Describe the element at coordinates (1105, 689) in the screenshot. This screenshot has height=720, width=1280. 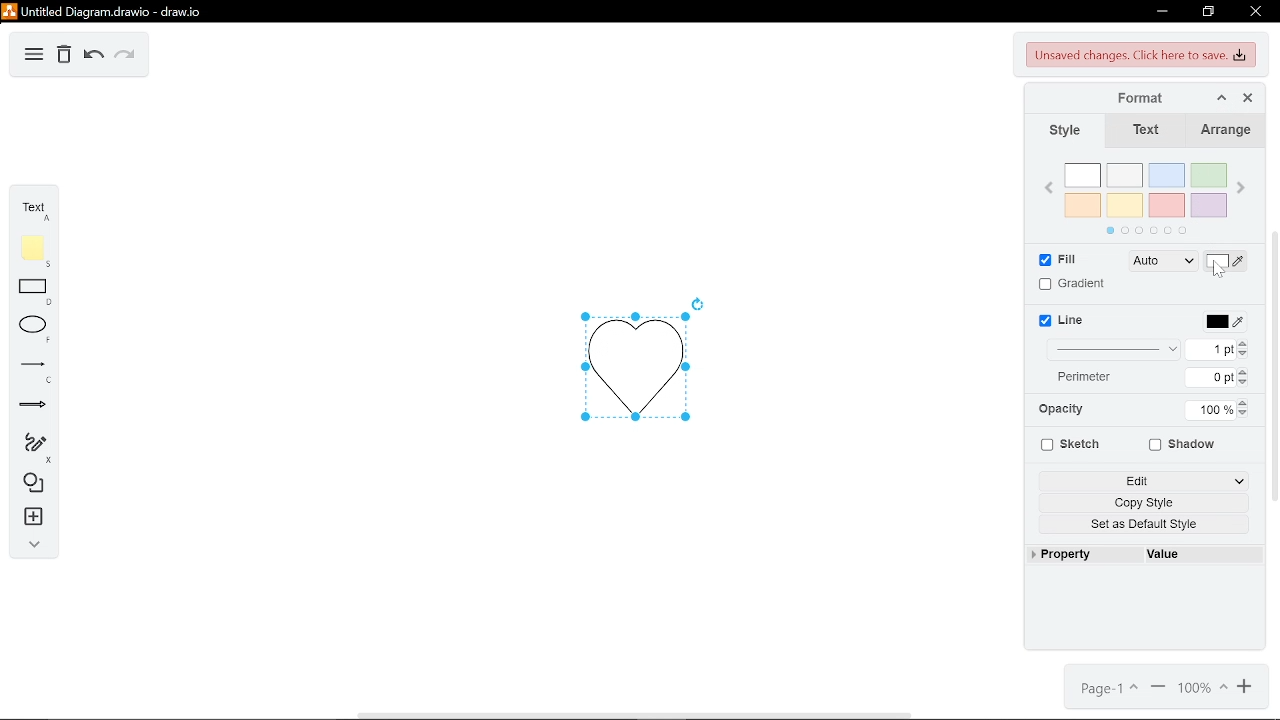
I see `page1` at that location.